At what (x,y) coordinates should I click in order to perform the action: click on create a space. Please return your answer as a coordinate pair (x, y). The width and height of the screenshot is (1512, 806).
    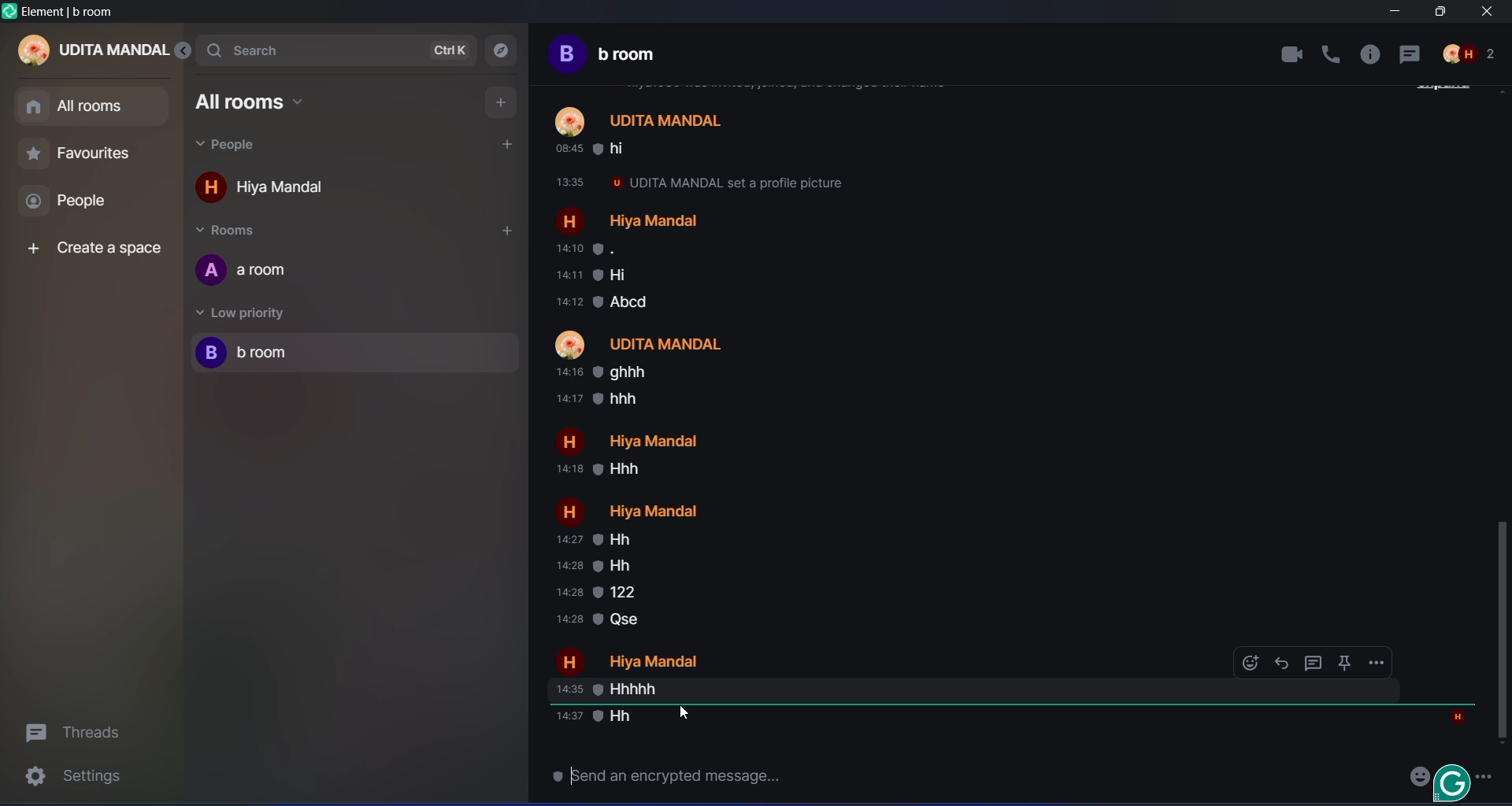
    Looking at the image, I should click on (98, 252).